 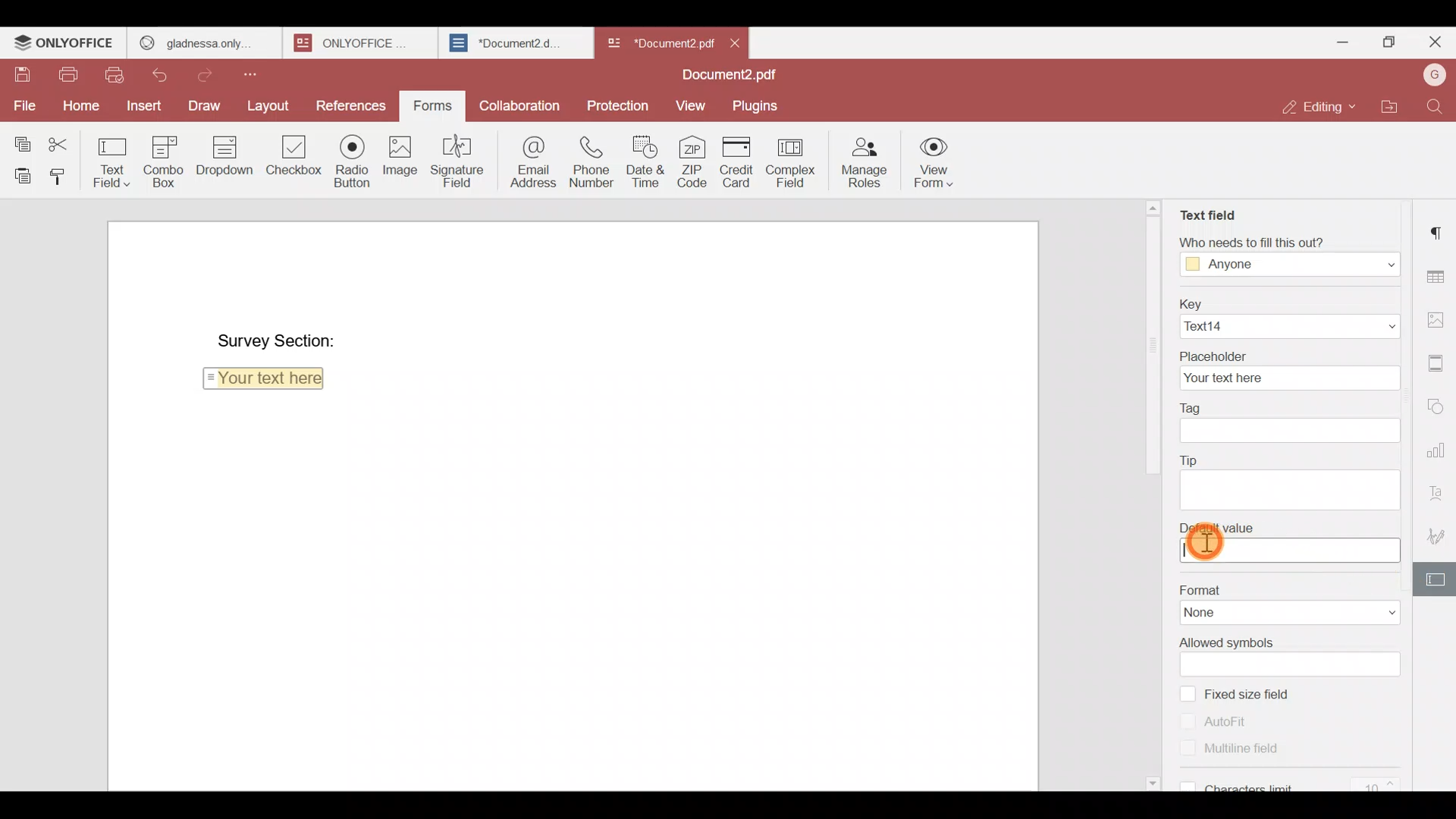 What do you see at coordinates (112, 158) in the screenshot?
I see `Text field` at bounding box center [112, 158].